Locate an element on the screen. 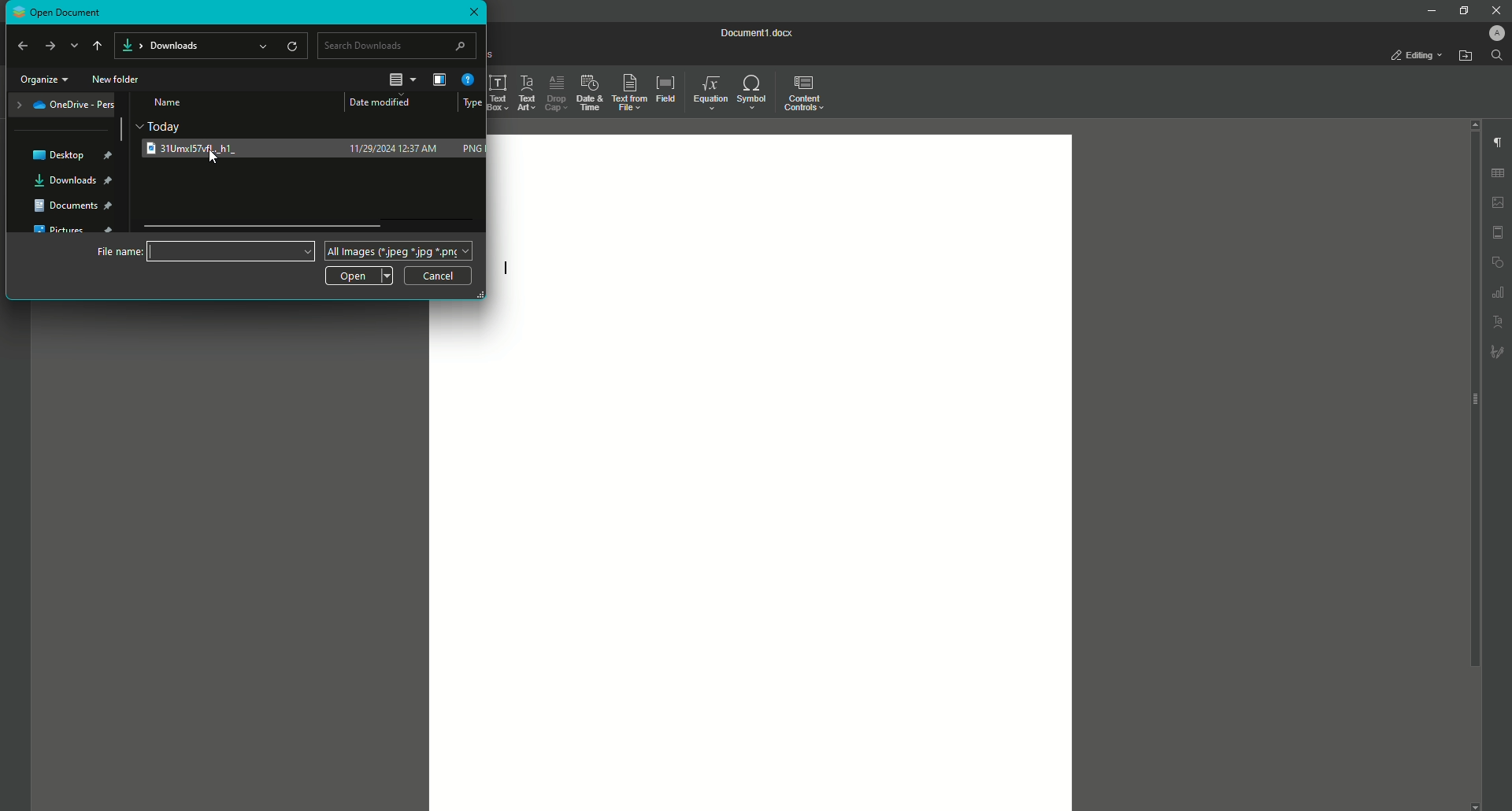 The height and width of the screenshot is (811, 1512). Scrollbar is located at coordinates (120, 131).